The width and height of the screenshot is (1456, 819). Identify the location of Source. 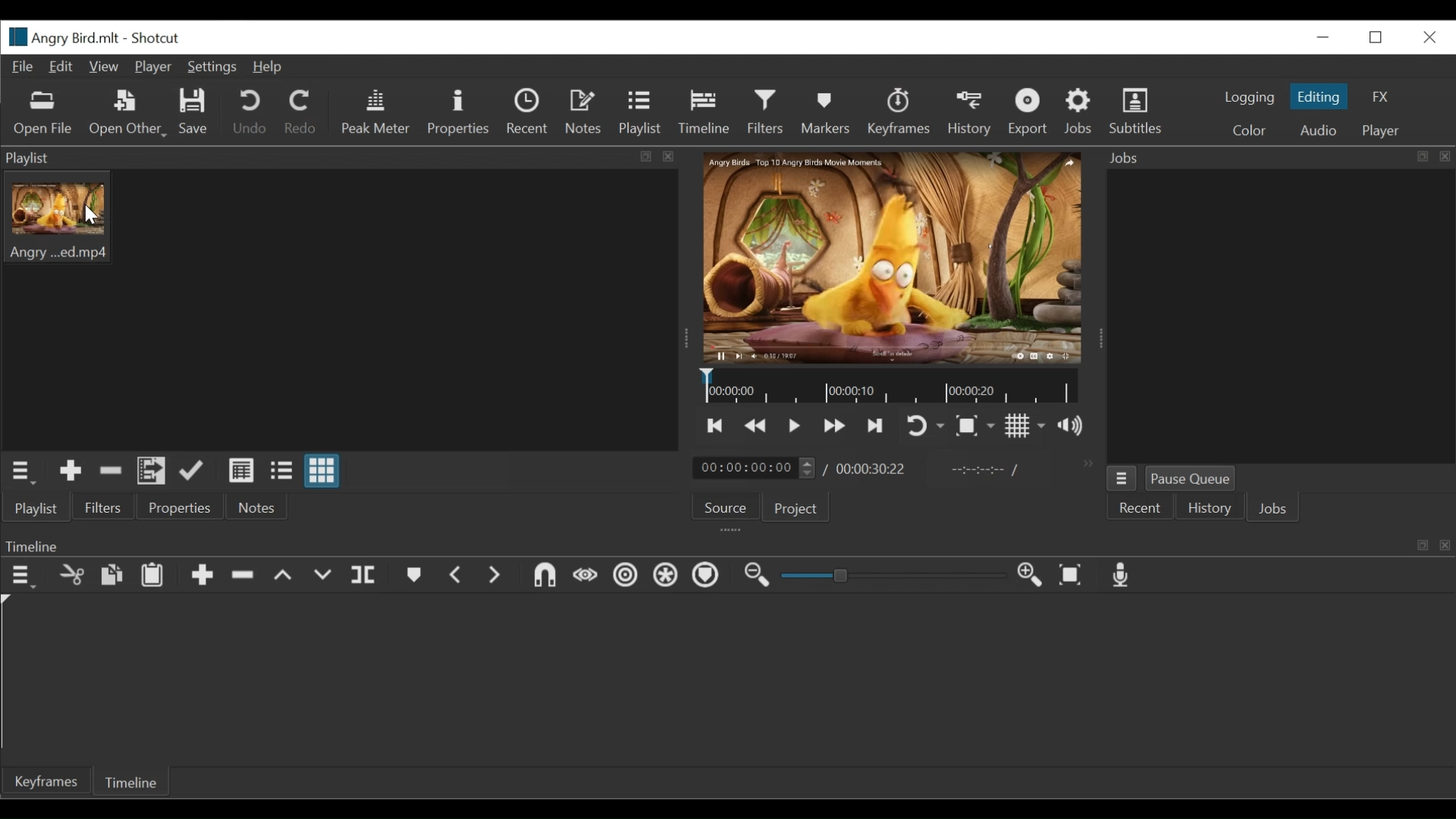
(721, 508).